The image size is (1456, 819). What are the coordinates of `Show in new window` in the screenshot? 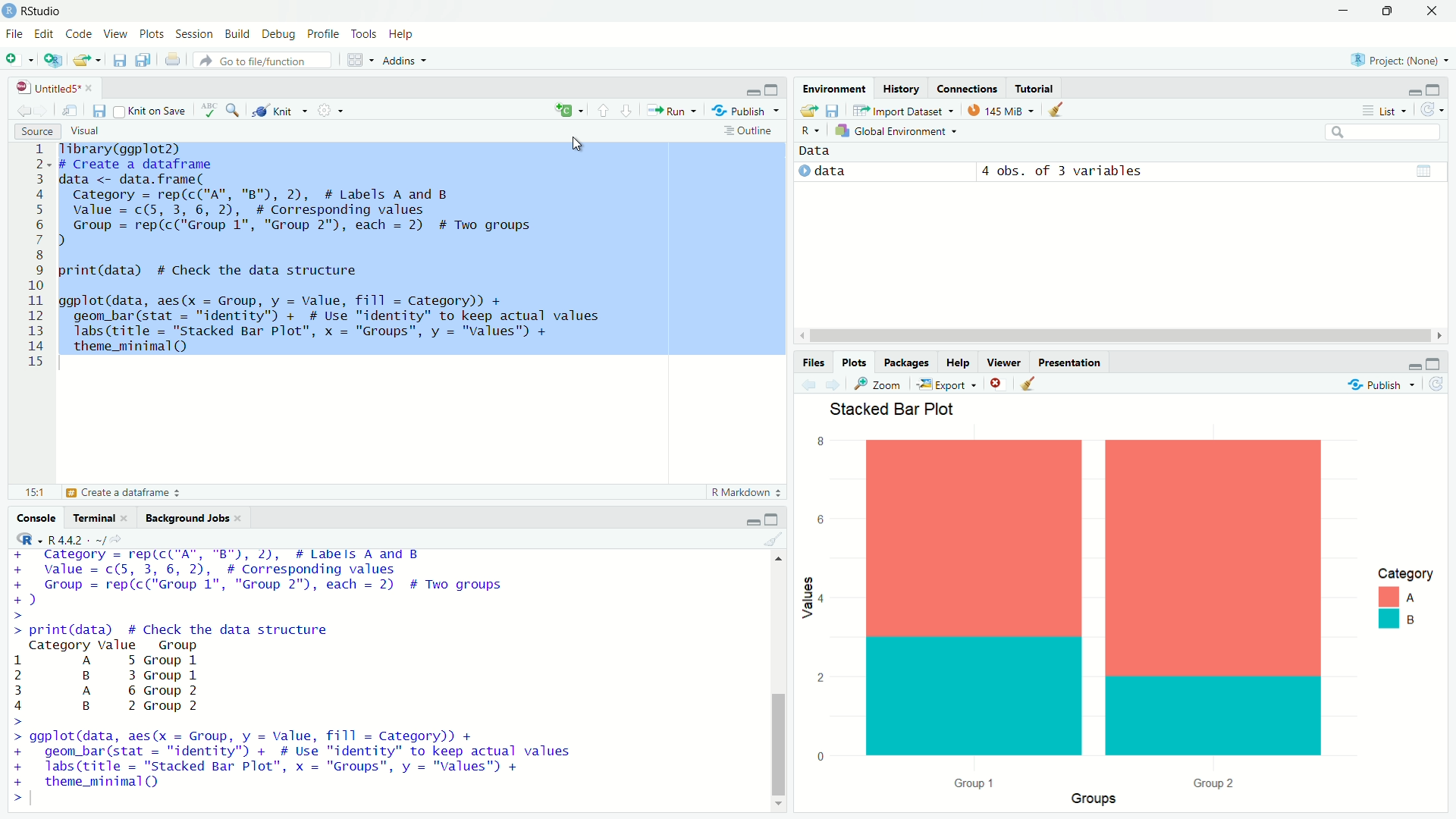 It's located at (71, 109).